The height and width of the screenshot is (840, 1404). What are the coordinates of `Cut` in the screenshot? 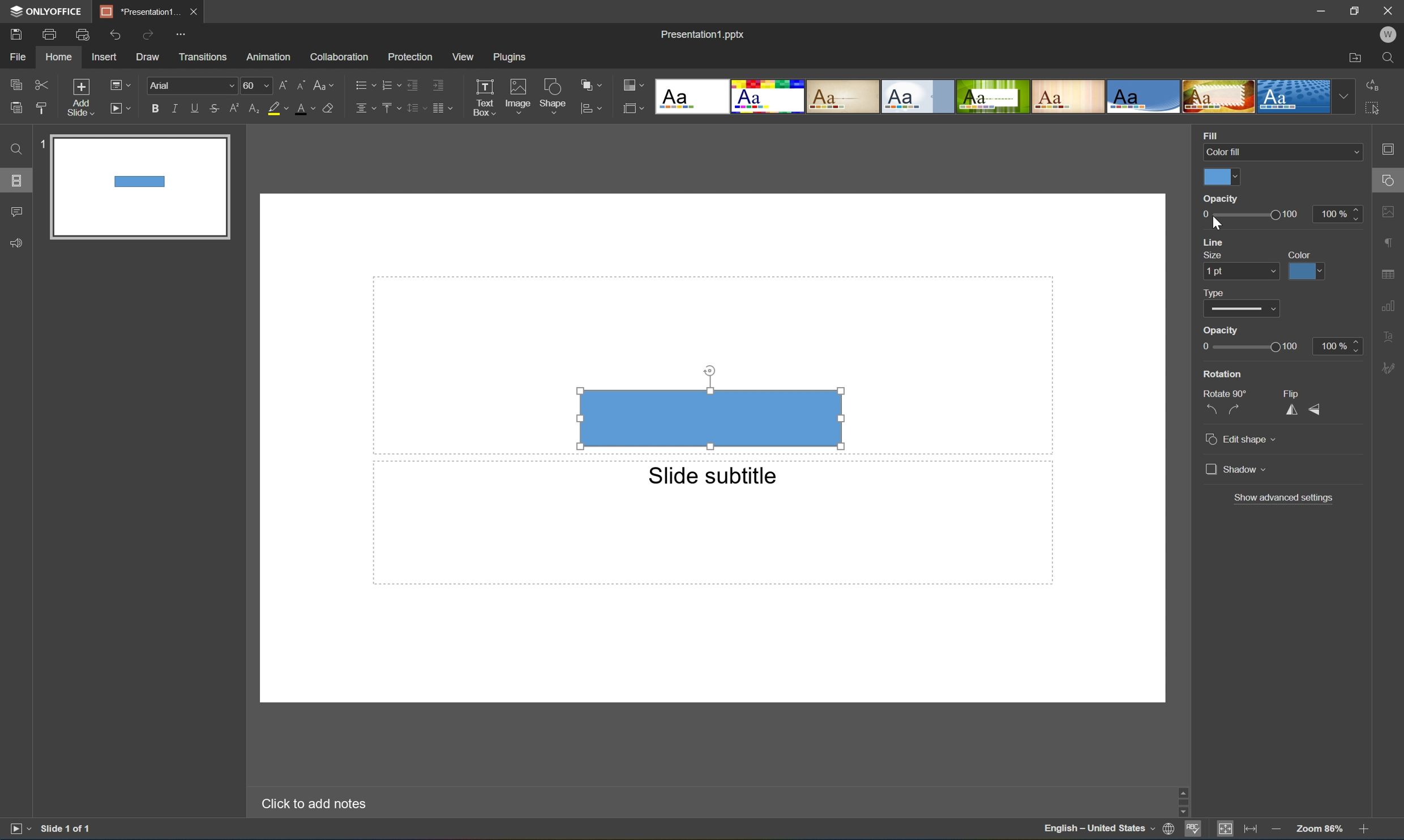 It's located at (40, 83).